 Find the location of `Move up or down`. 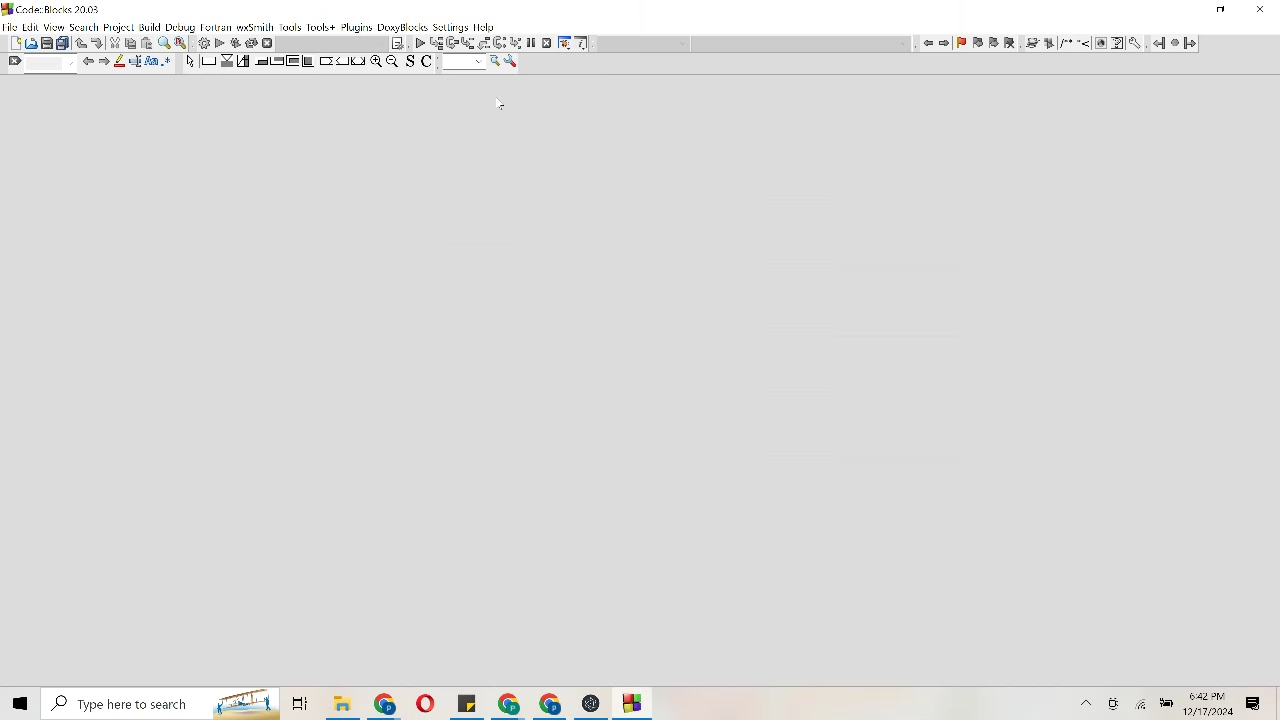

Move up or down is located at coordinates (80, 43).